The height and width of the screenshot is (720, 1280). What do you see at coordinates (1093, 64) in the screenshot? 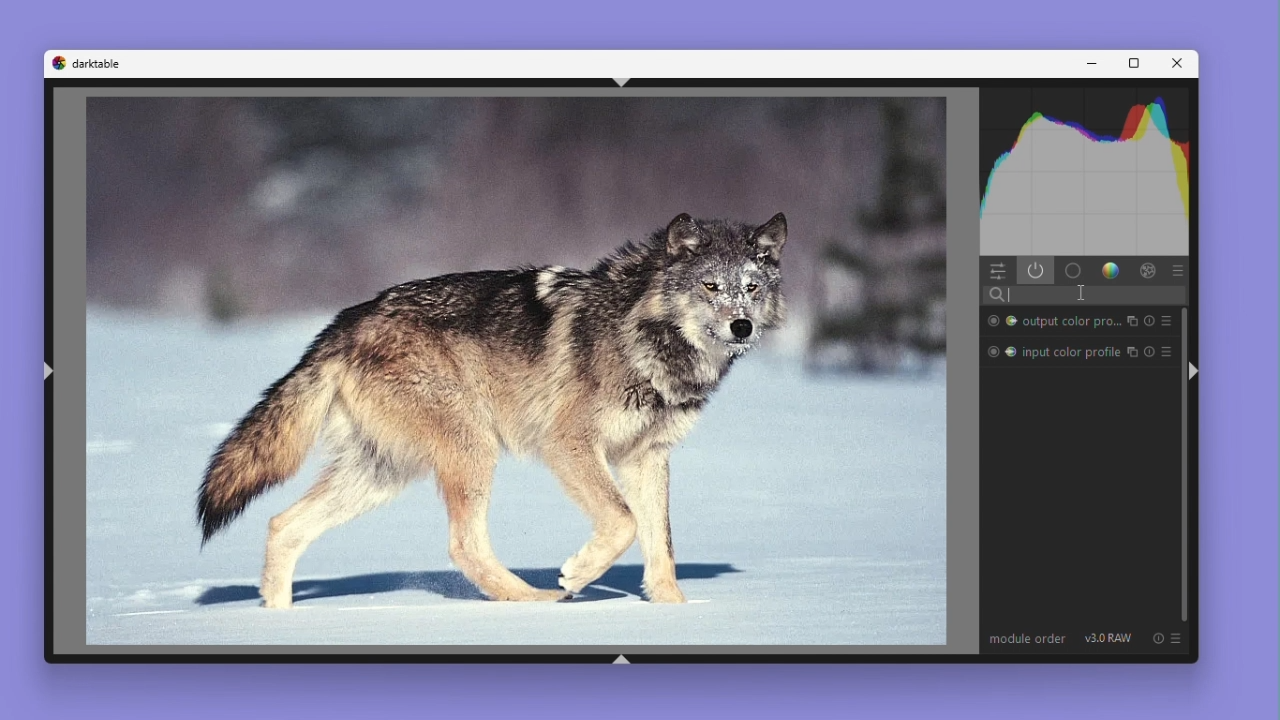
I see `Minimize` at bounding box center [1093, 64].